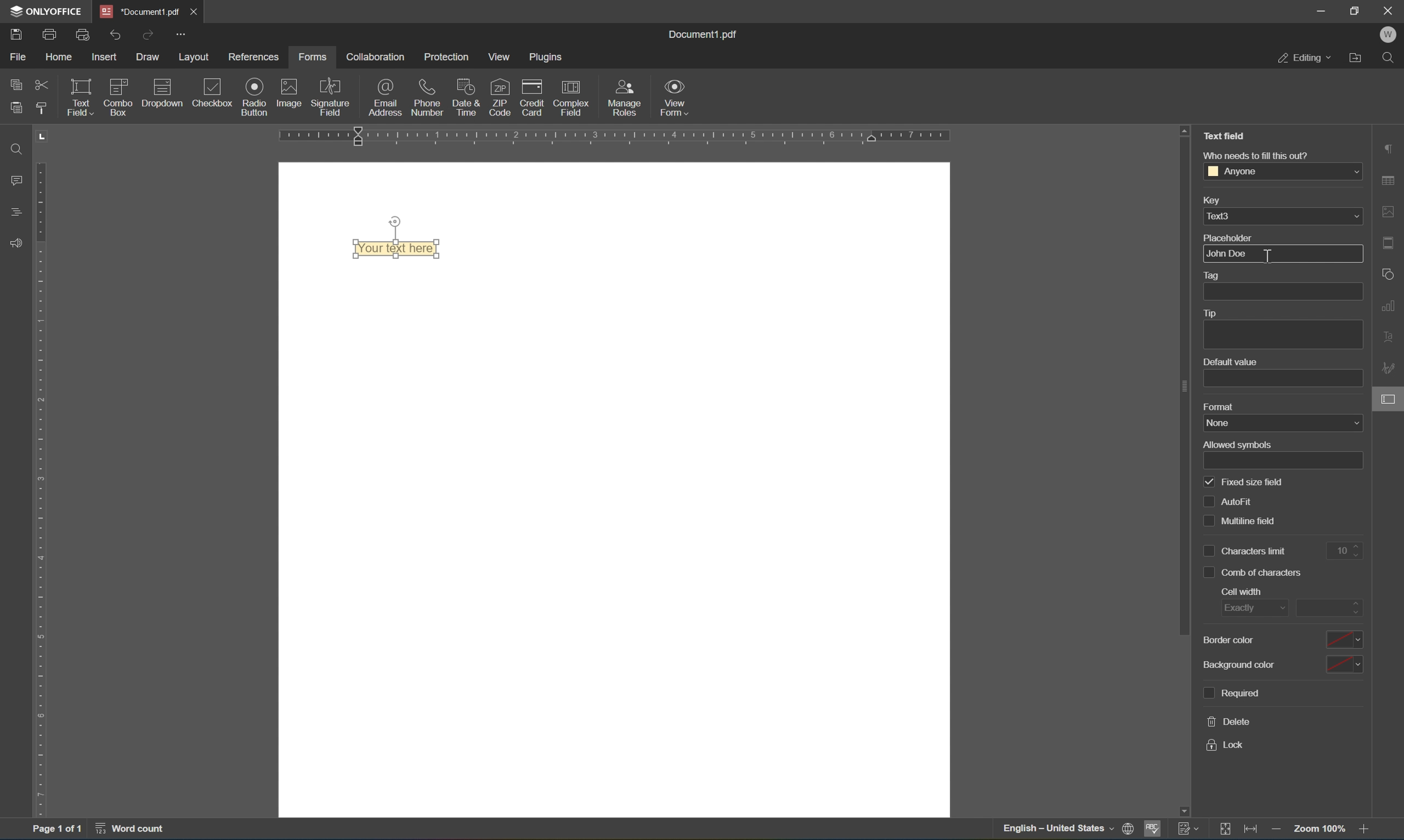  What do you see at coordinates (116, 36) in the screenshot?
I see `undo` at bounding box center [116, 36].